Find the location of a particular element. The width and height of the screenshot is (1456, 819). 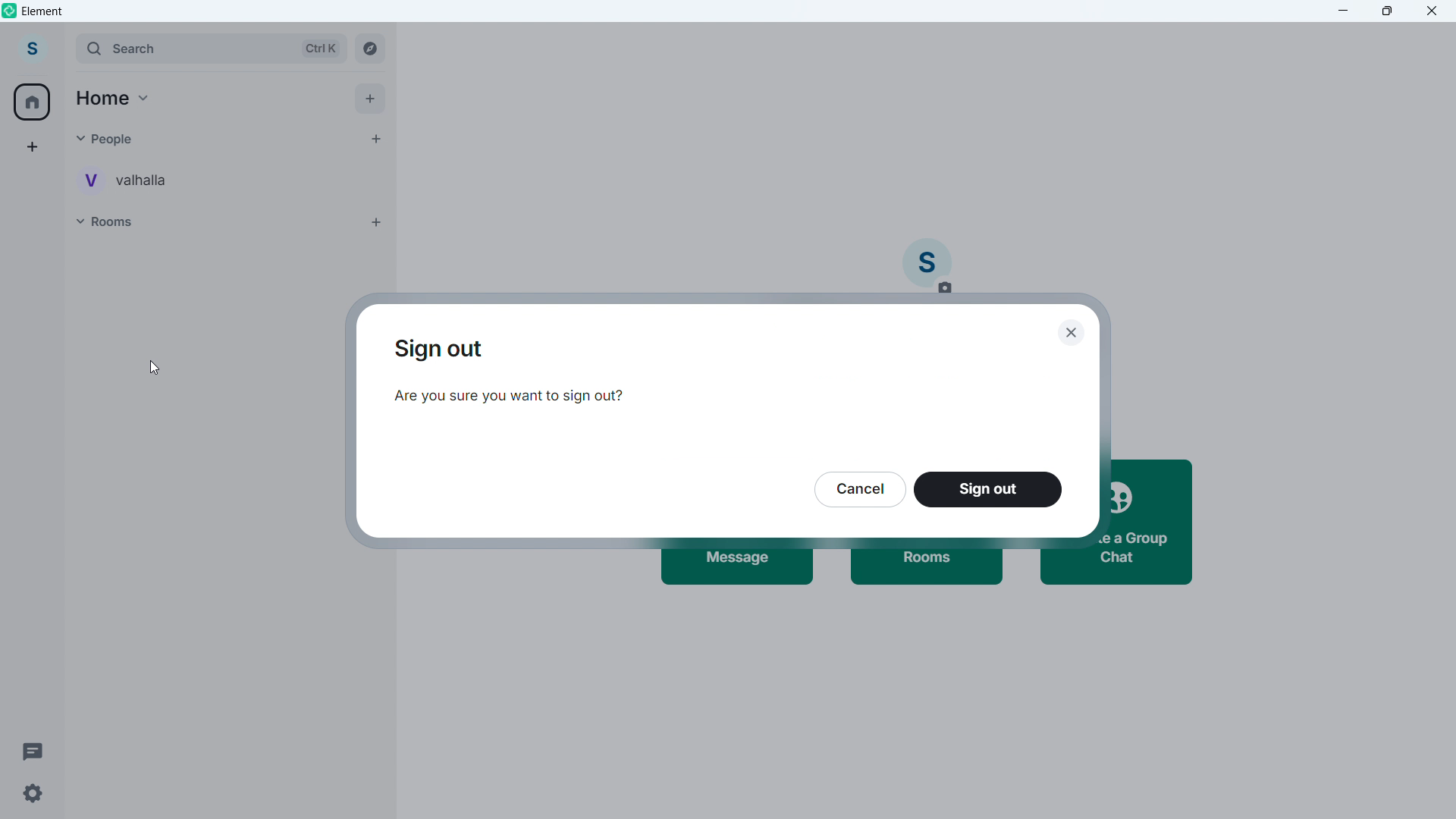

close  is located at coordinates (1431, 11).